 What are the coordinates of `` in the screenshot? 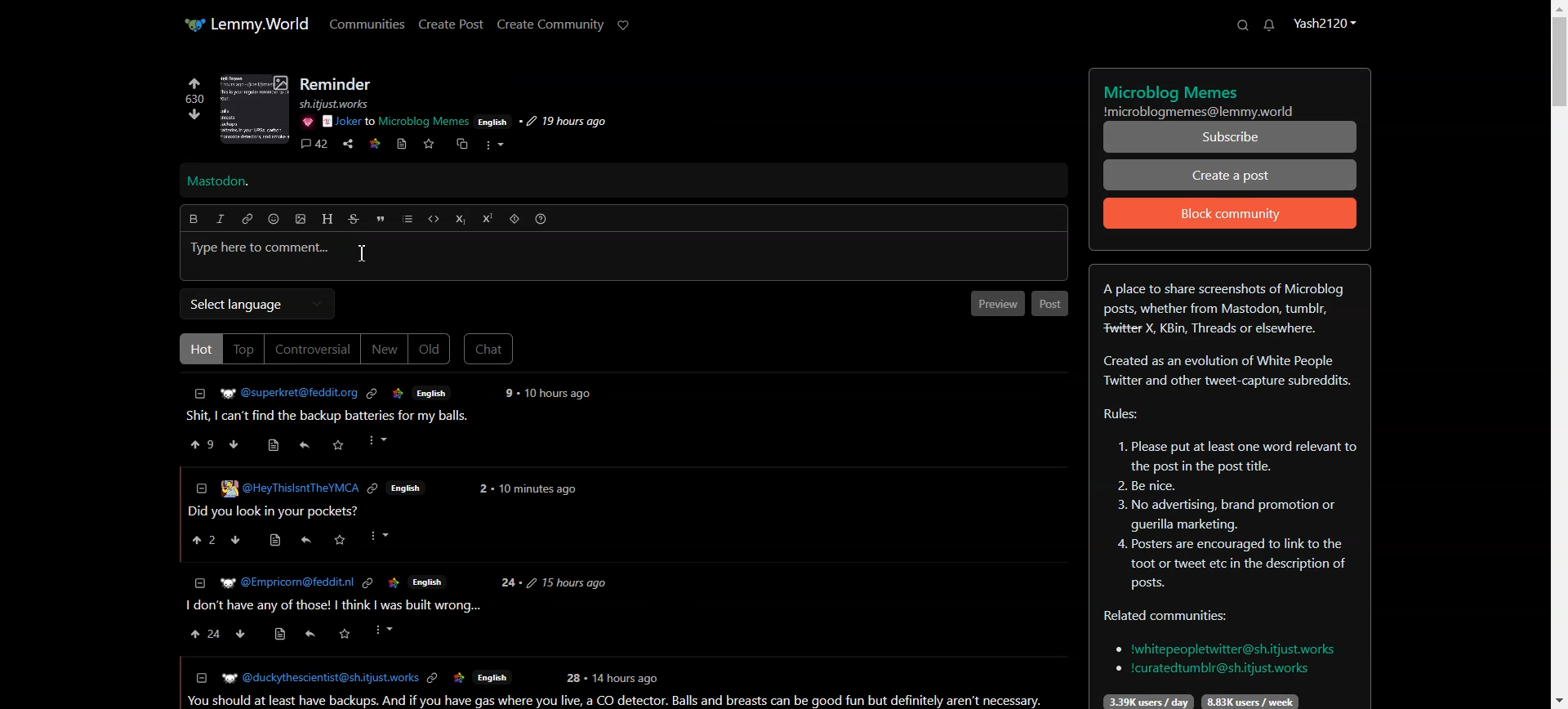 It's located at (493, 121).